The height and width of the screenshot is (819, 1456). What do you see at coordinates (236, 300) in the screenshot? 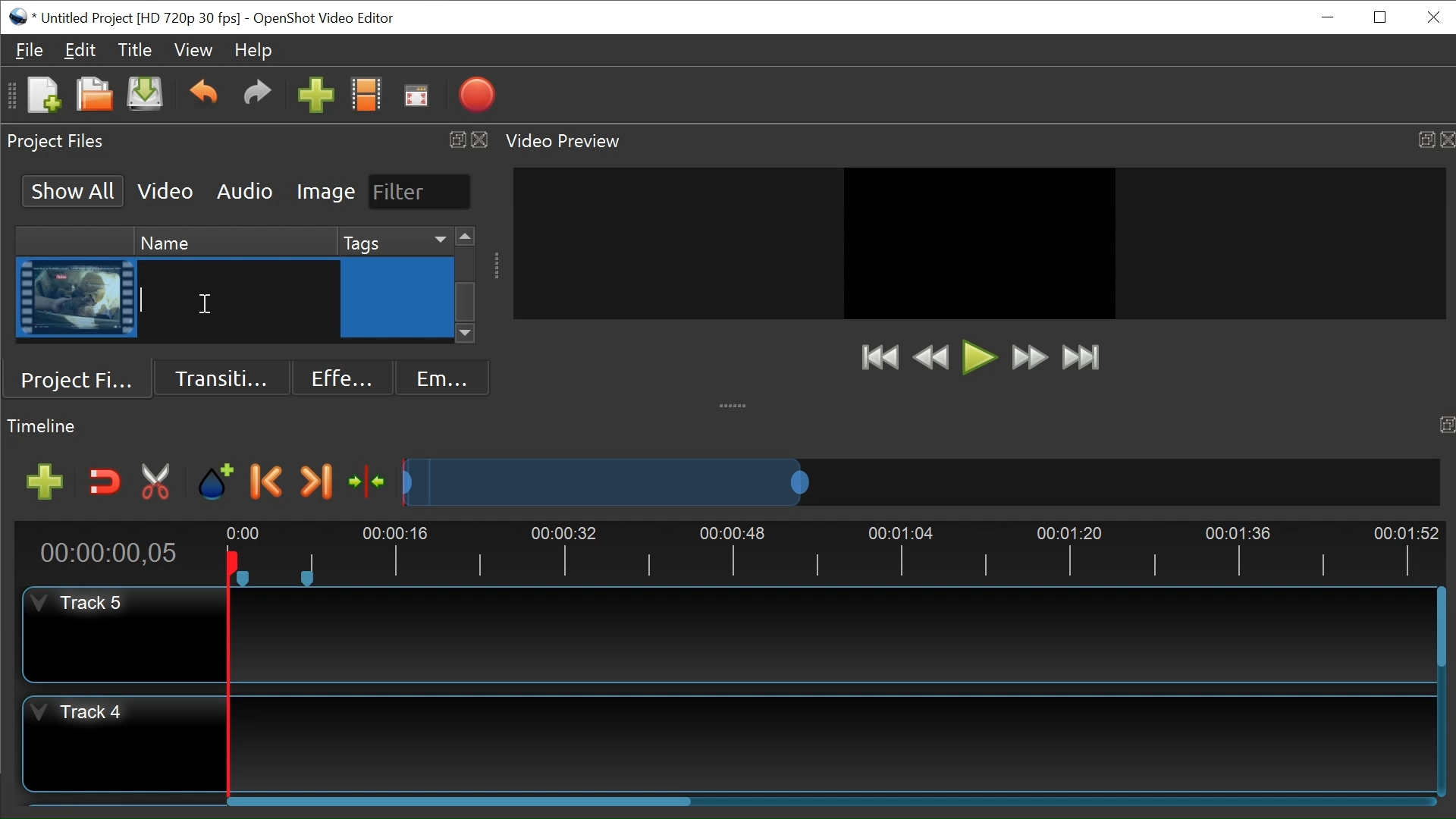
I see `Clip Name` at bounding box center [236, 300].